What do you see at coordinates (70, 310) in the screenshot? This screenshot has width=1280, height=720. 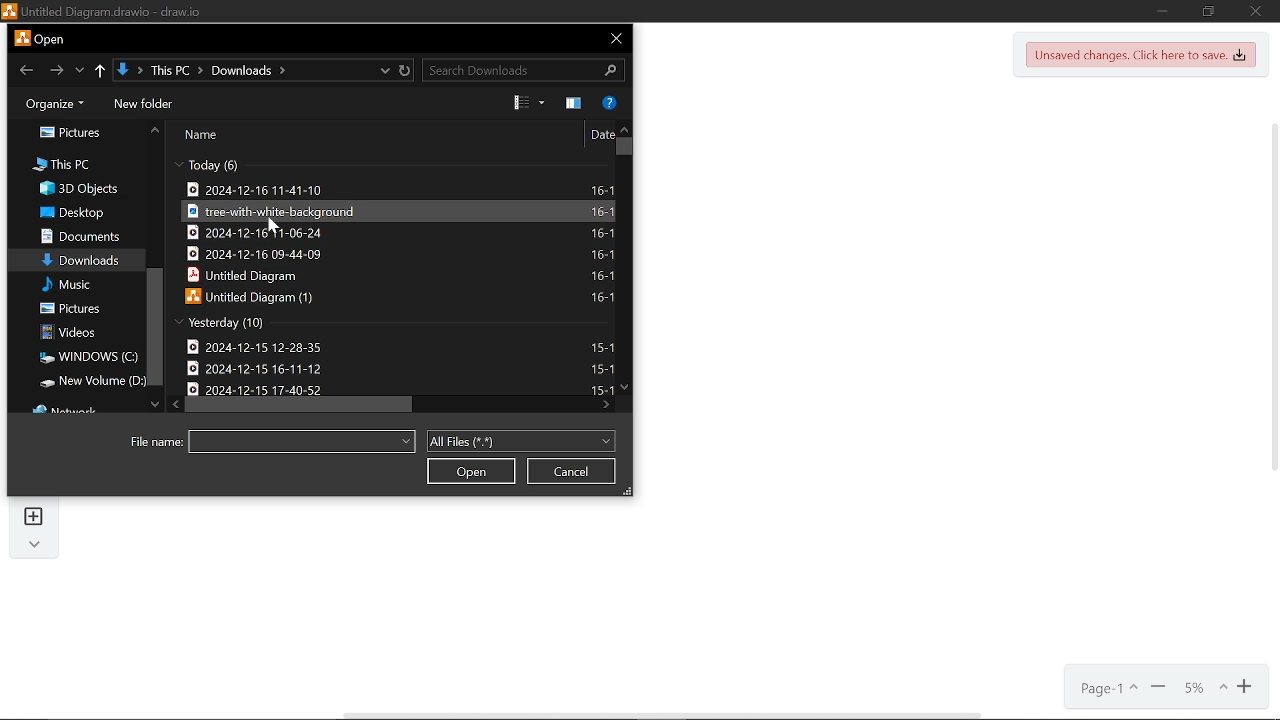 I see `pictures` at bounding box center [70, 310].